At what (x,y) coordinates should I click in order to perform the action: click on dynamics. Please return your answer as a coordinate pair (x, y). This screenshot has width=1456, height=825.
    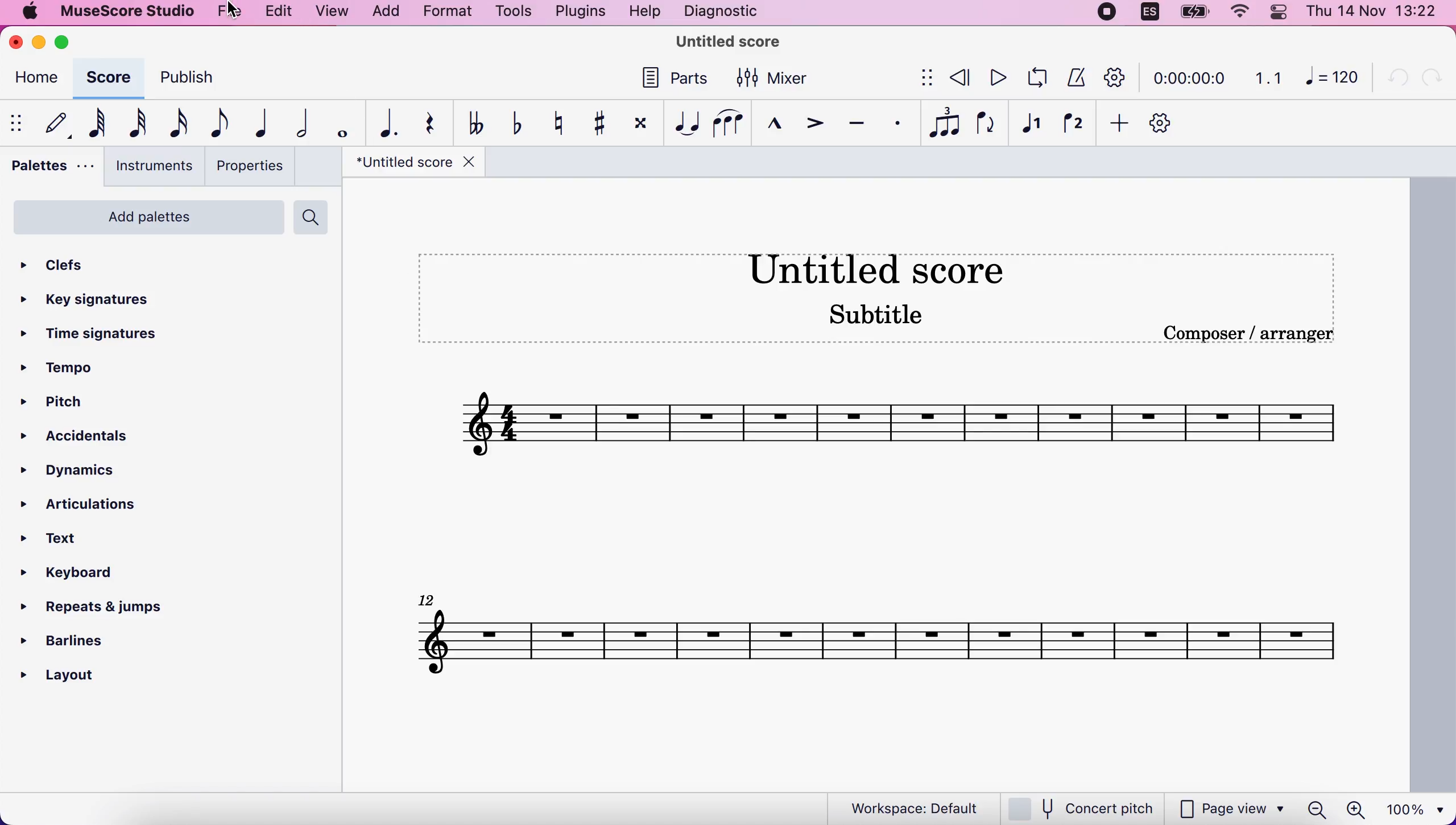
    Looking at the image, I should click on (88, 471).